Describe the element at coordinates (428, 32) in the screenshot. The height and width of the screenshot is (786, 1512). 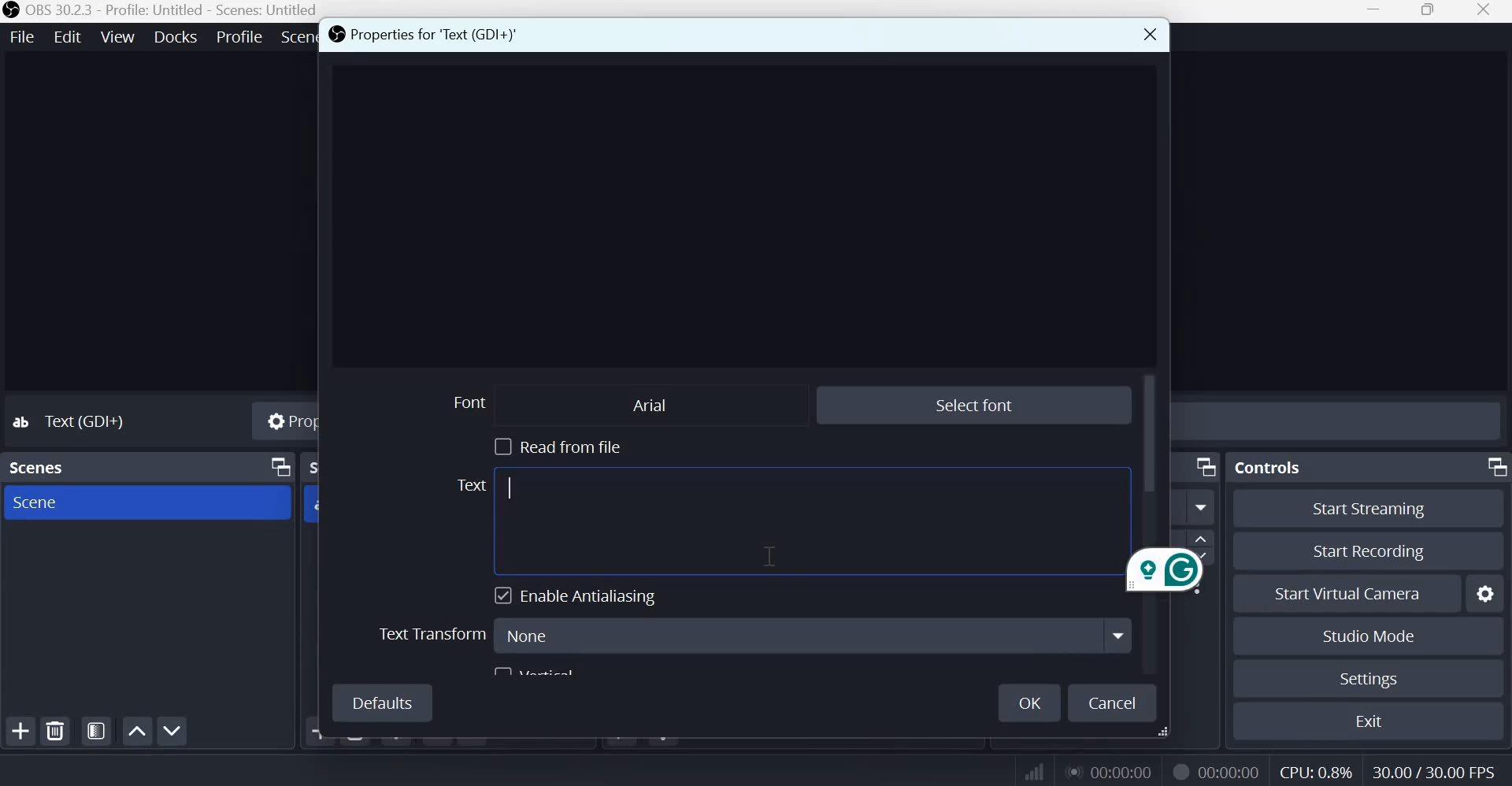
I see `Properties for 'Text (GDI+)'` at that location.